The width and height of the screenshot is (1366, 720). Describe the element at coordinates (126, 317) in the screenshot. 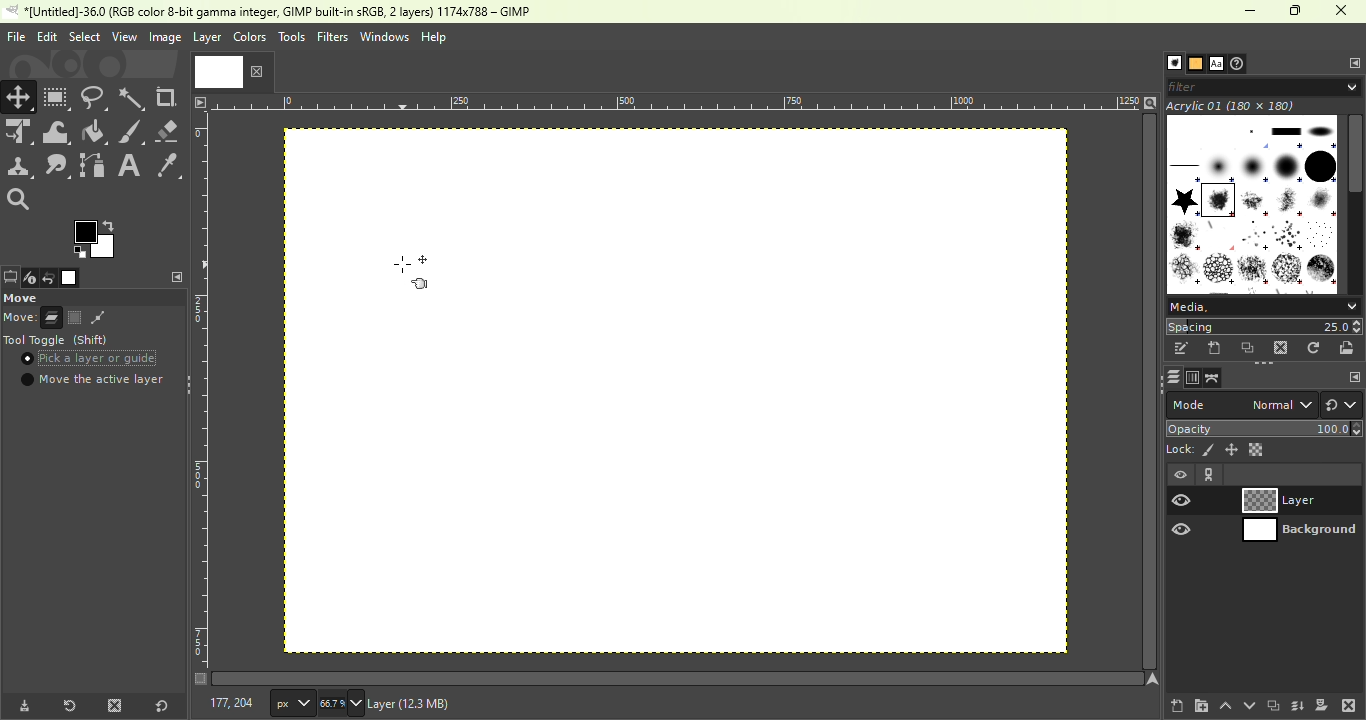

I see `Intersect with the current selection` at that location.